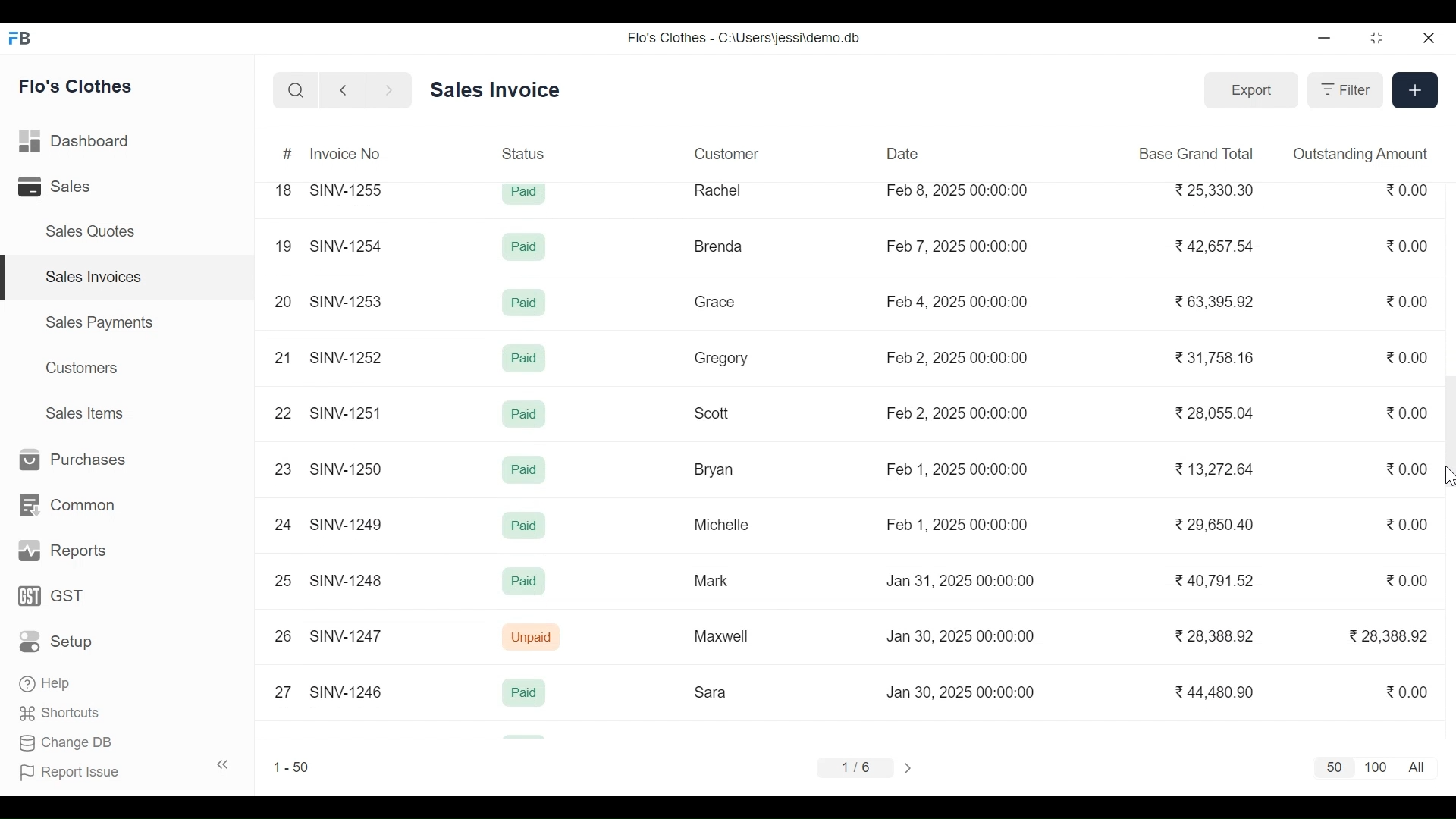  Describe the element at coordinates (526, 152) in the screenshot. I see `Status` at that location.